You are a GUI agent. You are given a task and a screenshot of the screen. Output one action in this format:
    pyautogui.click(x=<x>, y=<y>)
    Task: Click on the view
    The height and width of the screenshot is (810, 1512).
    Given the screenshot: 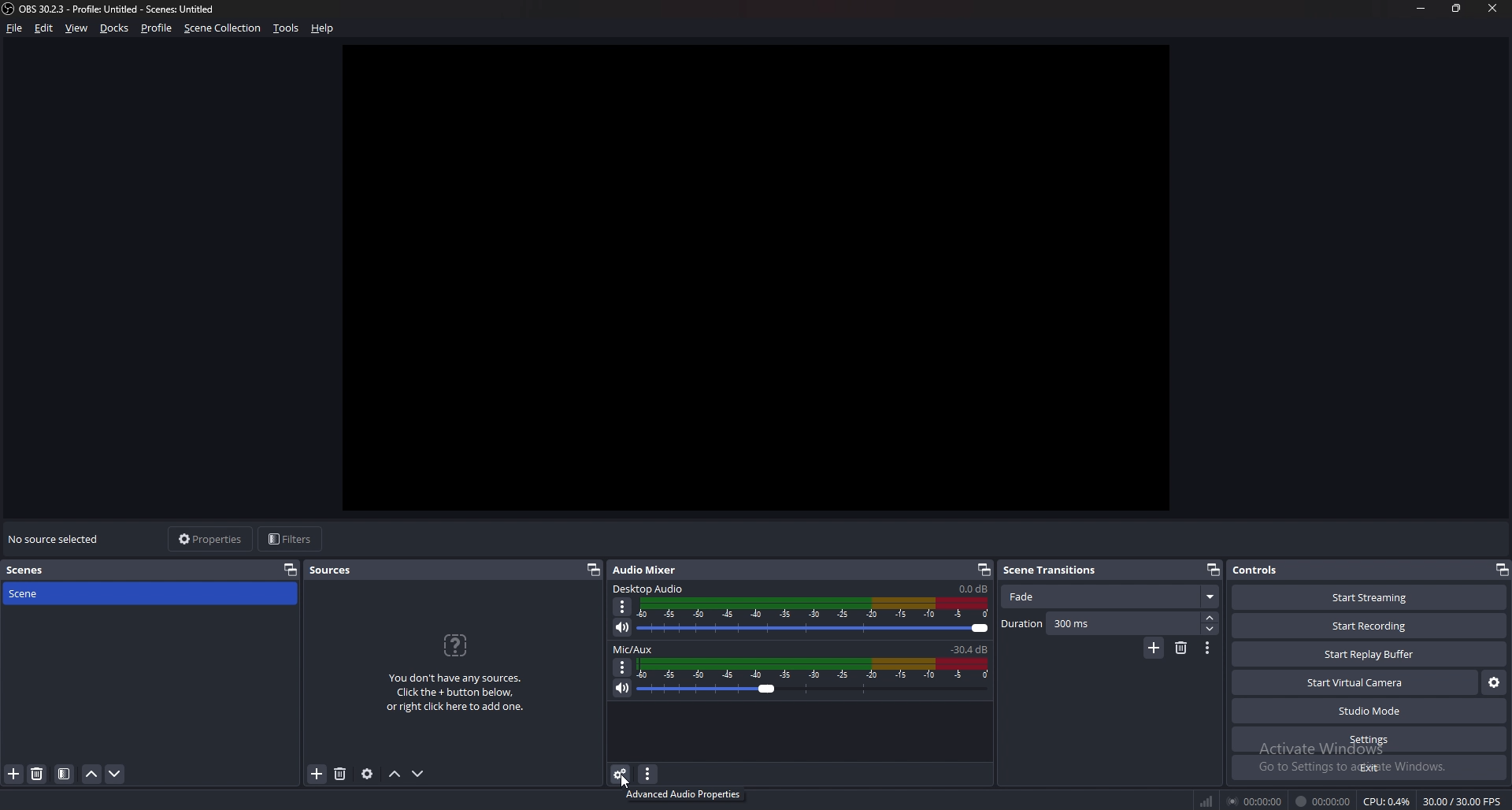 What is the action you would take?
    pyautogui.click(x=78, y=28)
    